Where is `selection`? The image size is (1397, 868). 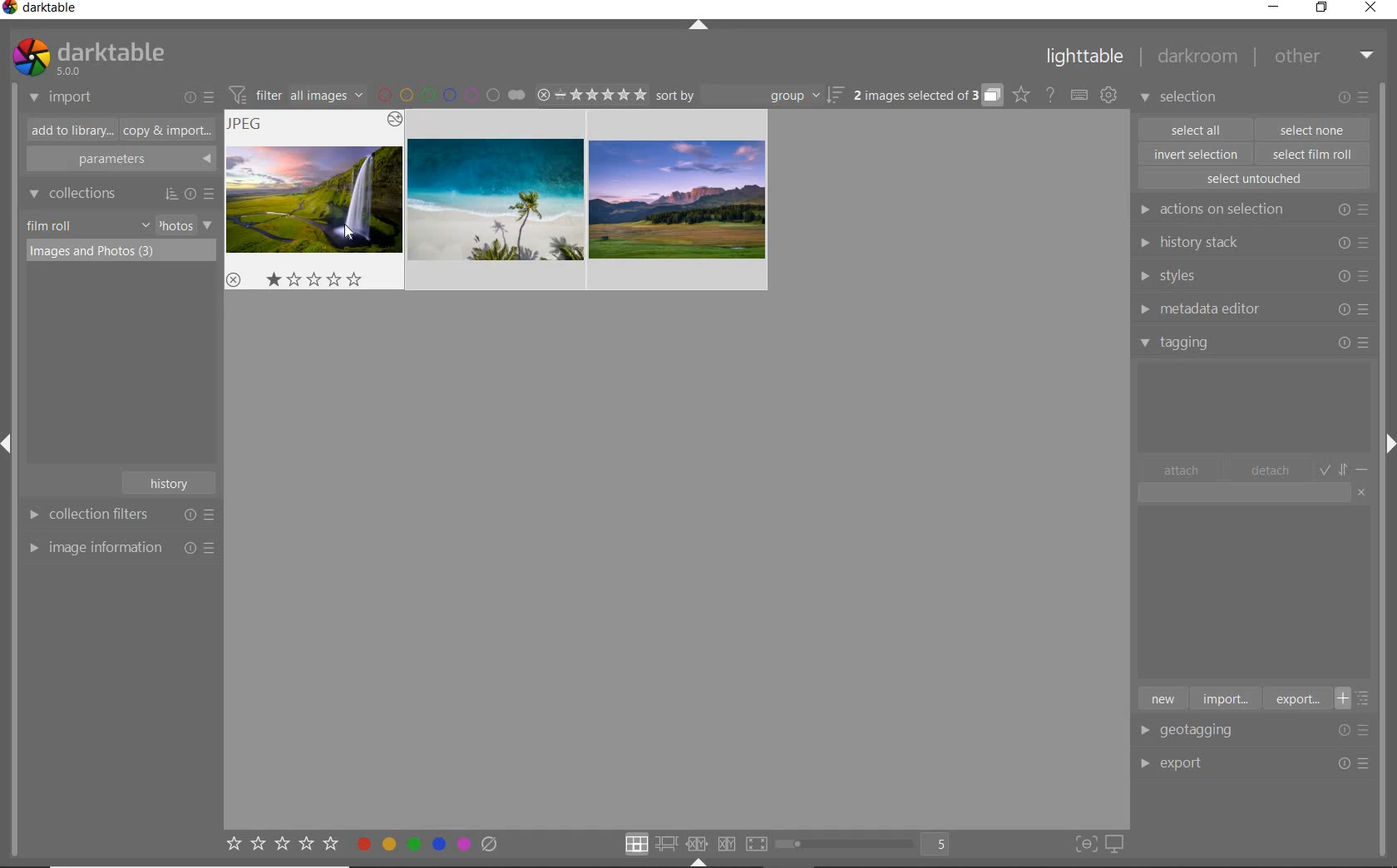
selection is located at coordinates (1181, 99).